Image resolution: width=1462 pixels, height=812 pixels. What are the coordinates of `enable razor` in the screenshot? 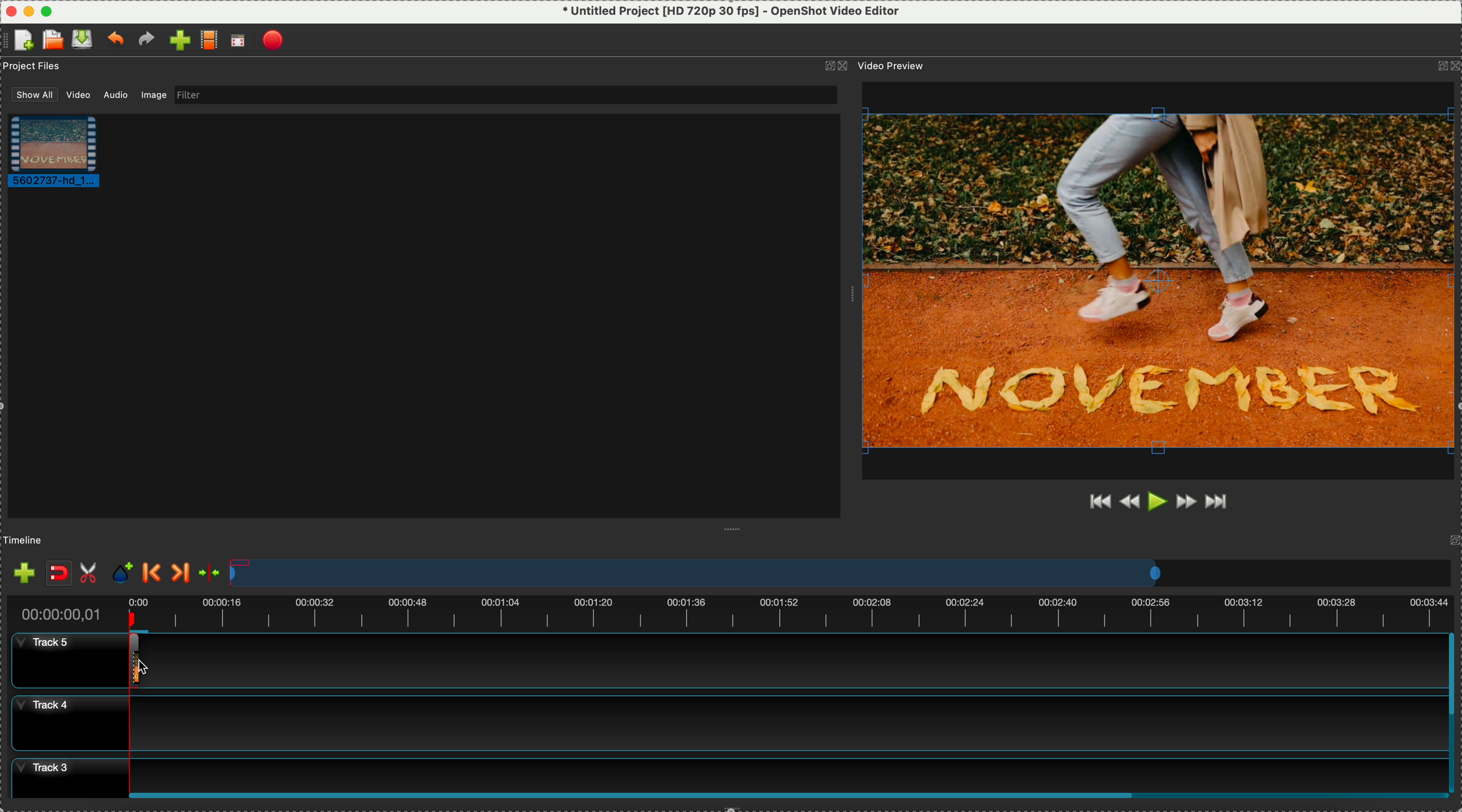 It's located at (91, 571).